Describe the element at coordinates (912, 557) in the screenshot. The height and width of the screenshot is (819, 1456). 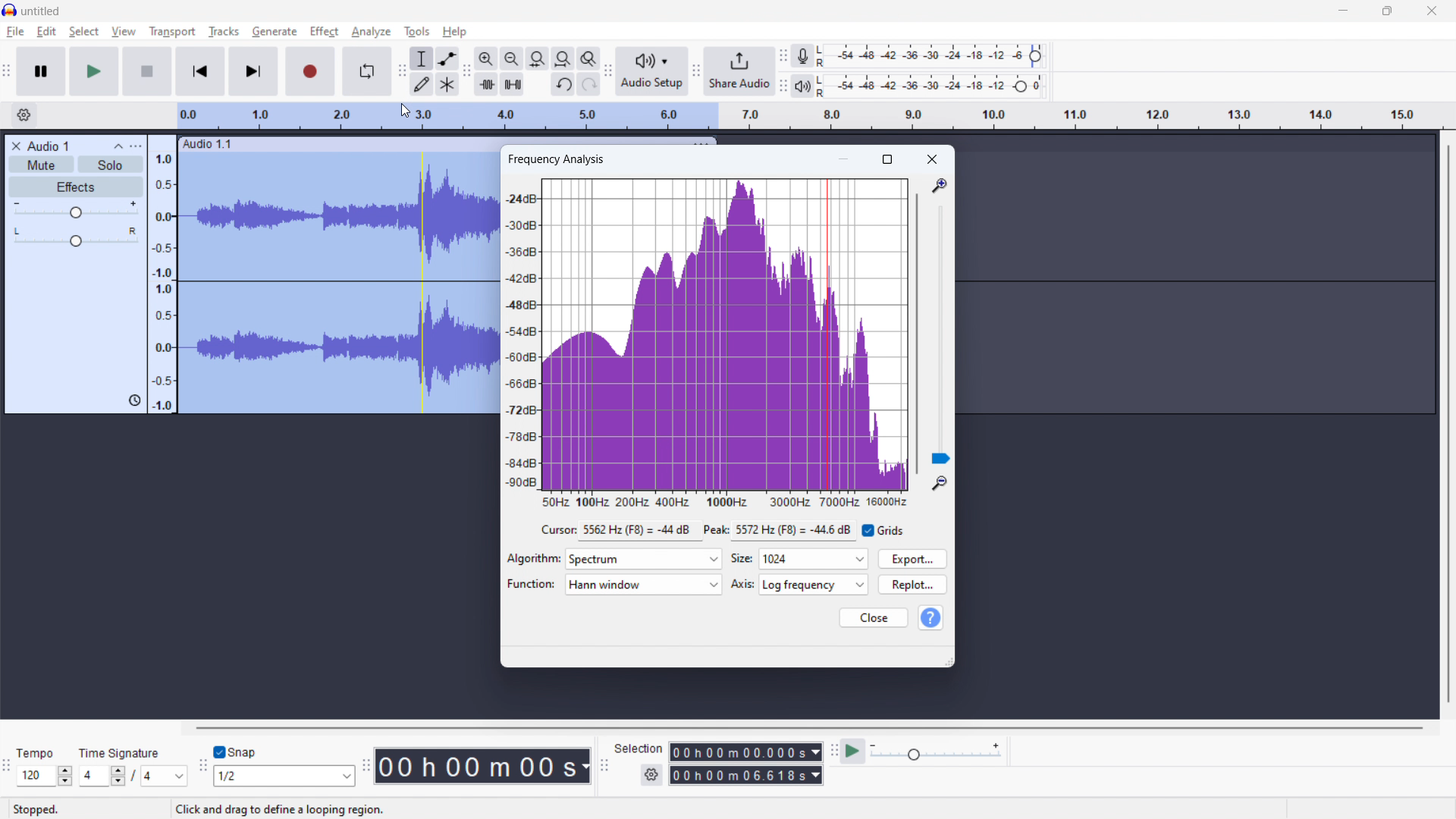
I see `export` at that location.